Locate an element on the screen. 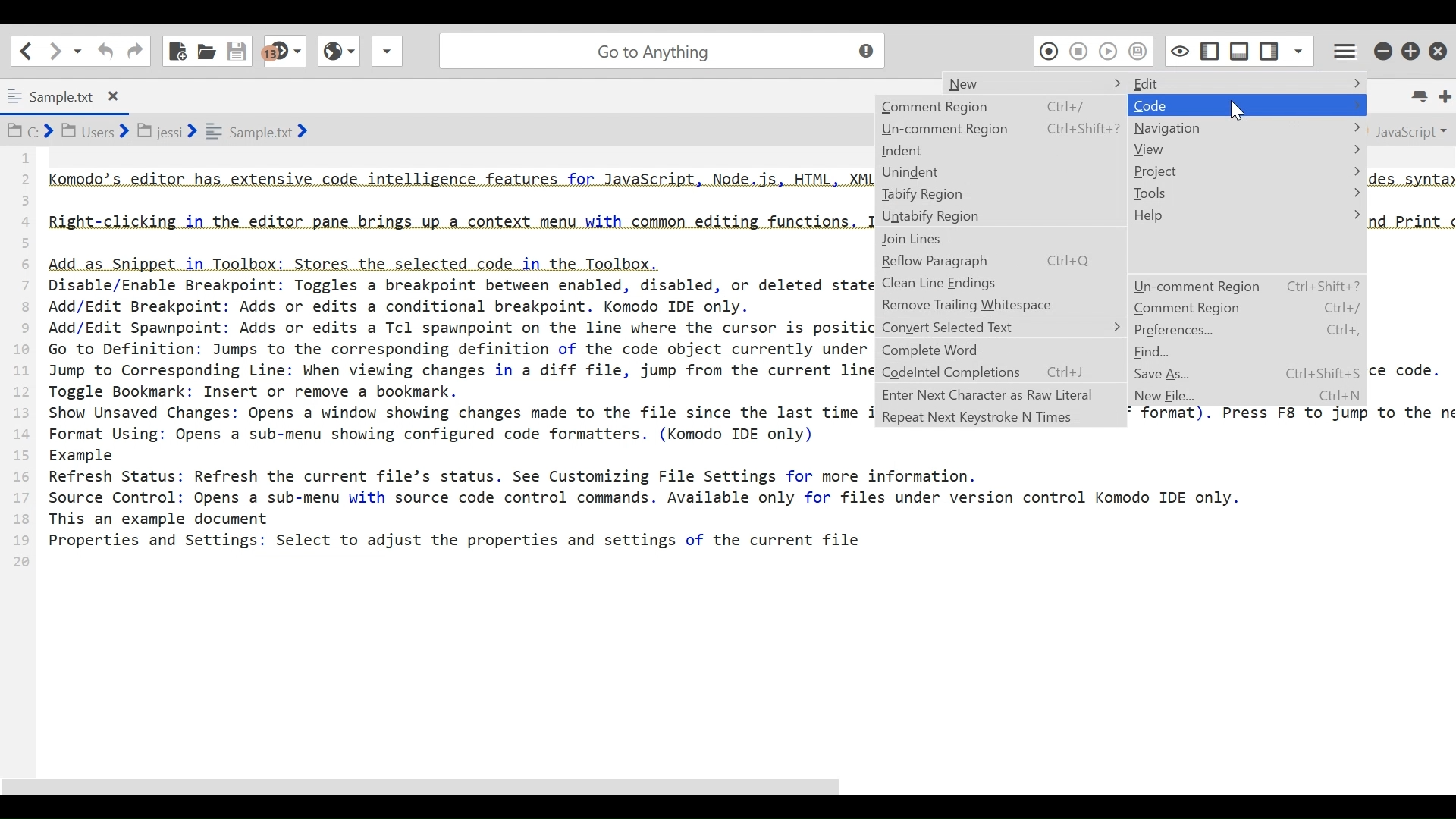  Show/Hide Right Side Panel is located at coordinates (1209, 49).